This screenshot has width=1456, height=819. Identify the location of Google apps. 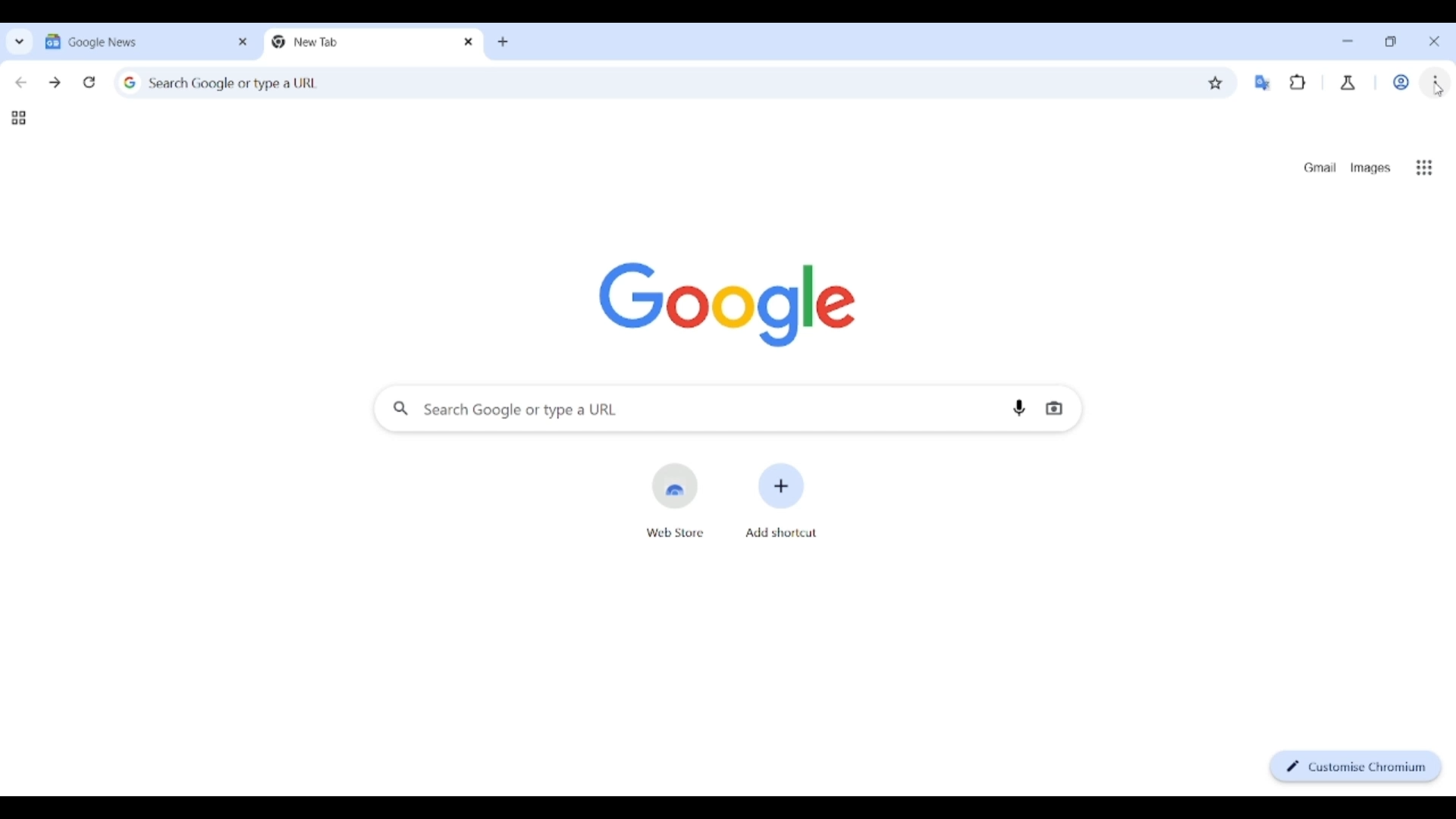
(1424, 168).